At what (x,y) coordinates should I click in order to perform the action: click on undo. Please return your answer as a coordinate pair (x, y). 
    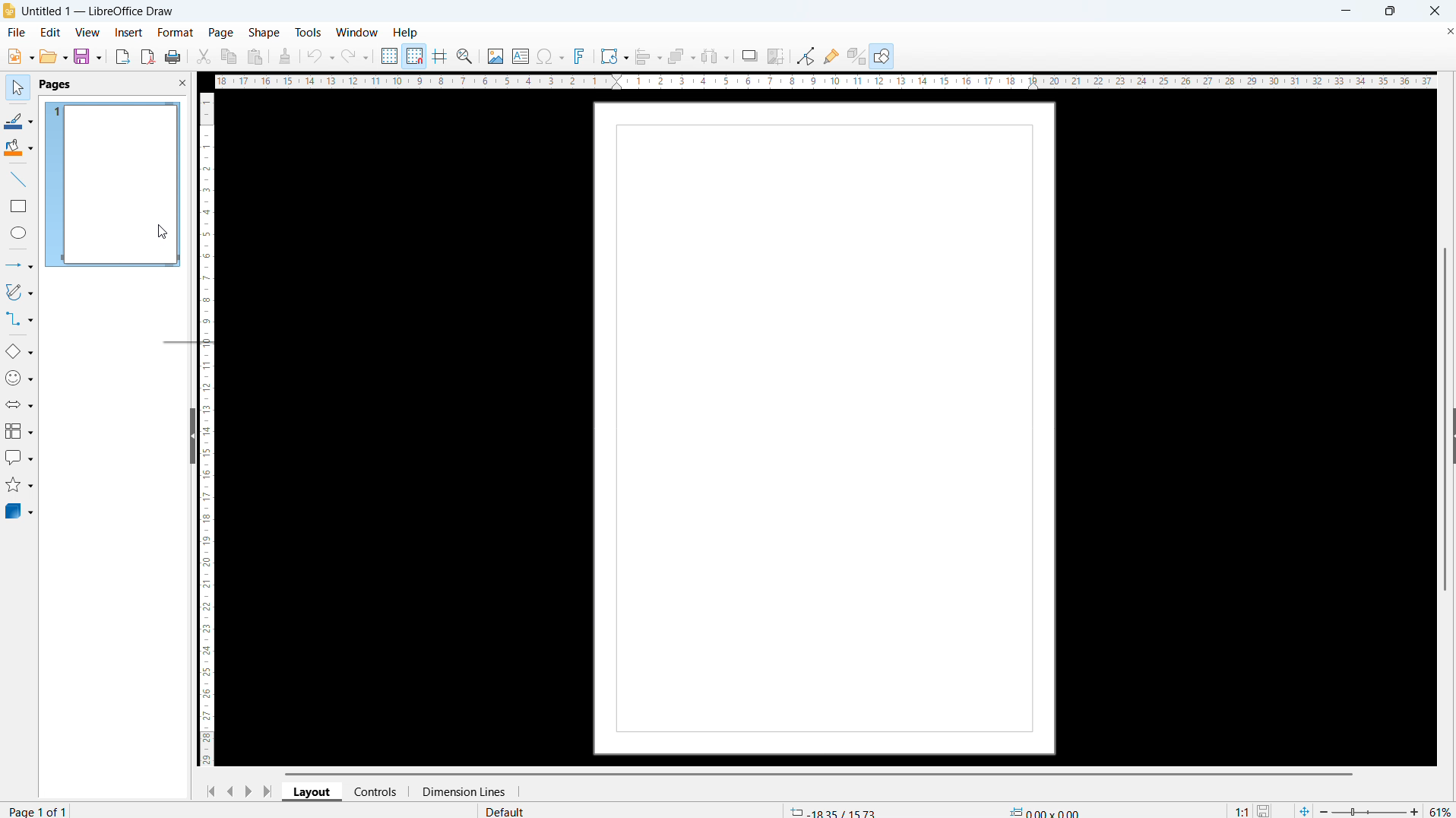
    Looking at the image, I should click on (321, 56).